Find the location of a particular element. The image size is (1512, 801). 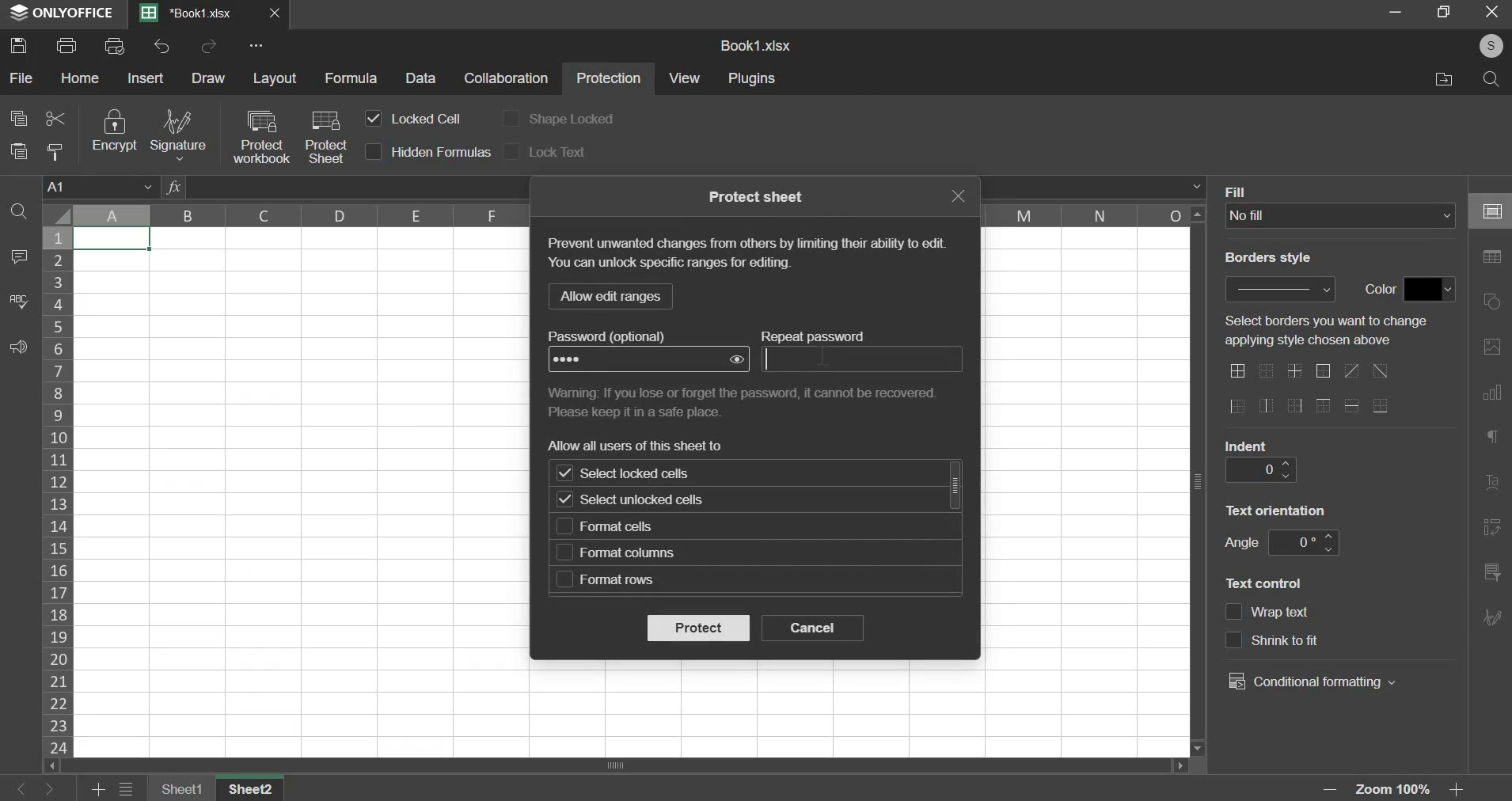

data is located at coordinates (423, 78).